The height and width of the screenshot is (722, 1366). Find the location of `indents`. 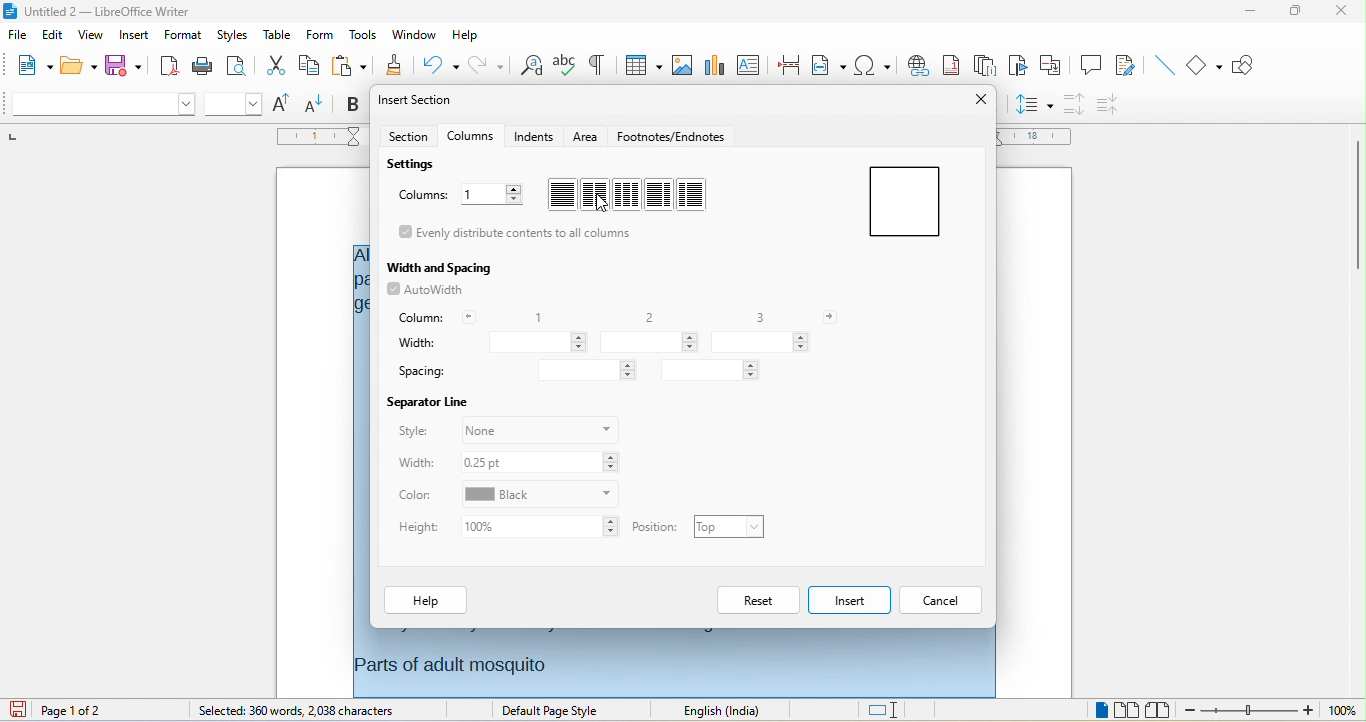

indents is located at coordinates (536, 137).